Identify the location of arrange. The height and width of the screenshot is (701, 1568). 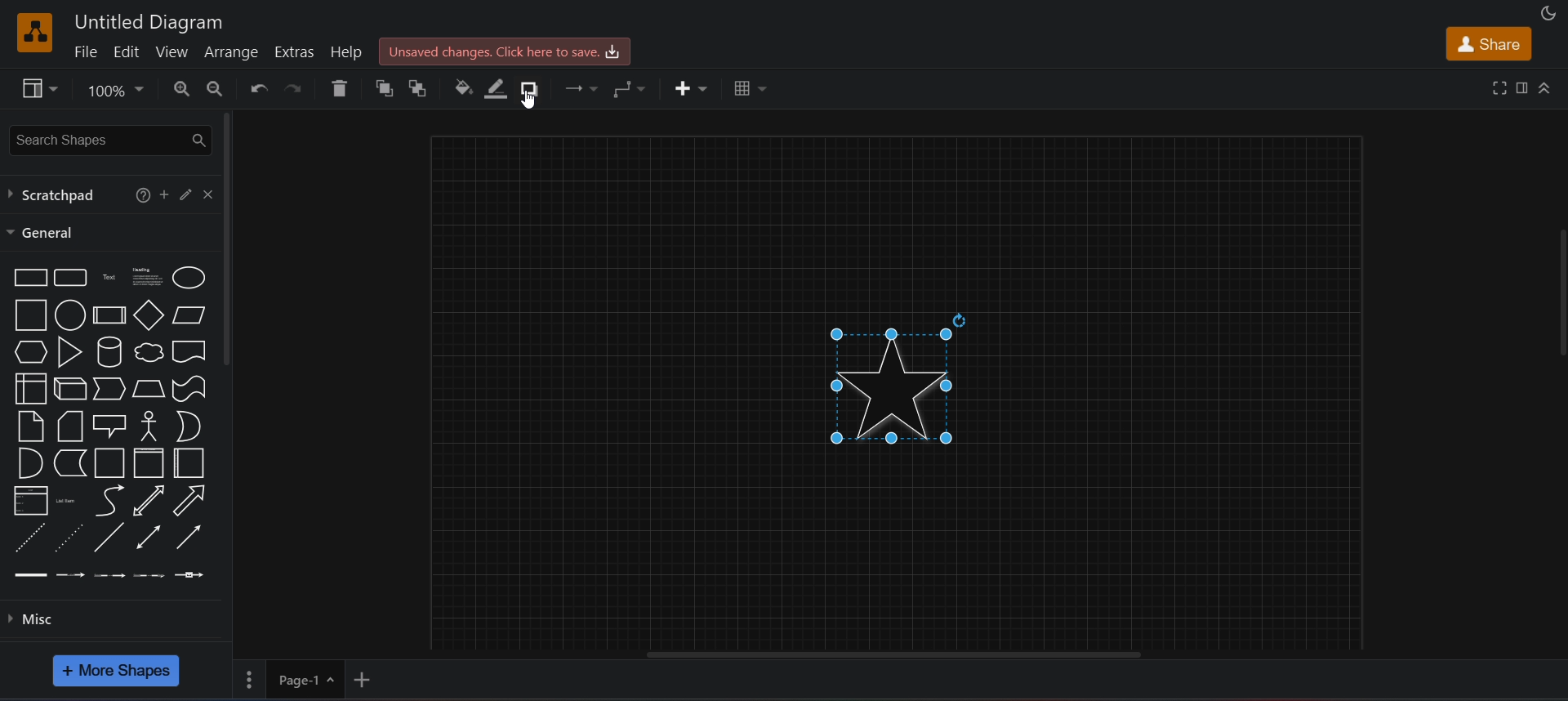
(232, 53).